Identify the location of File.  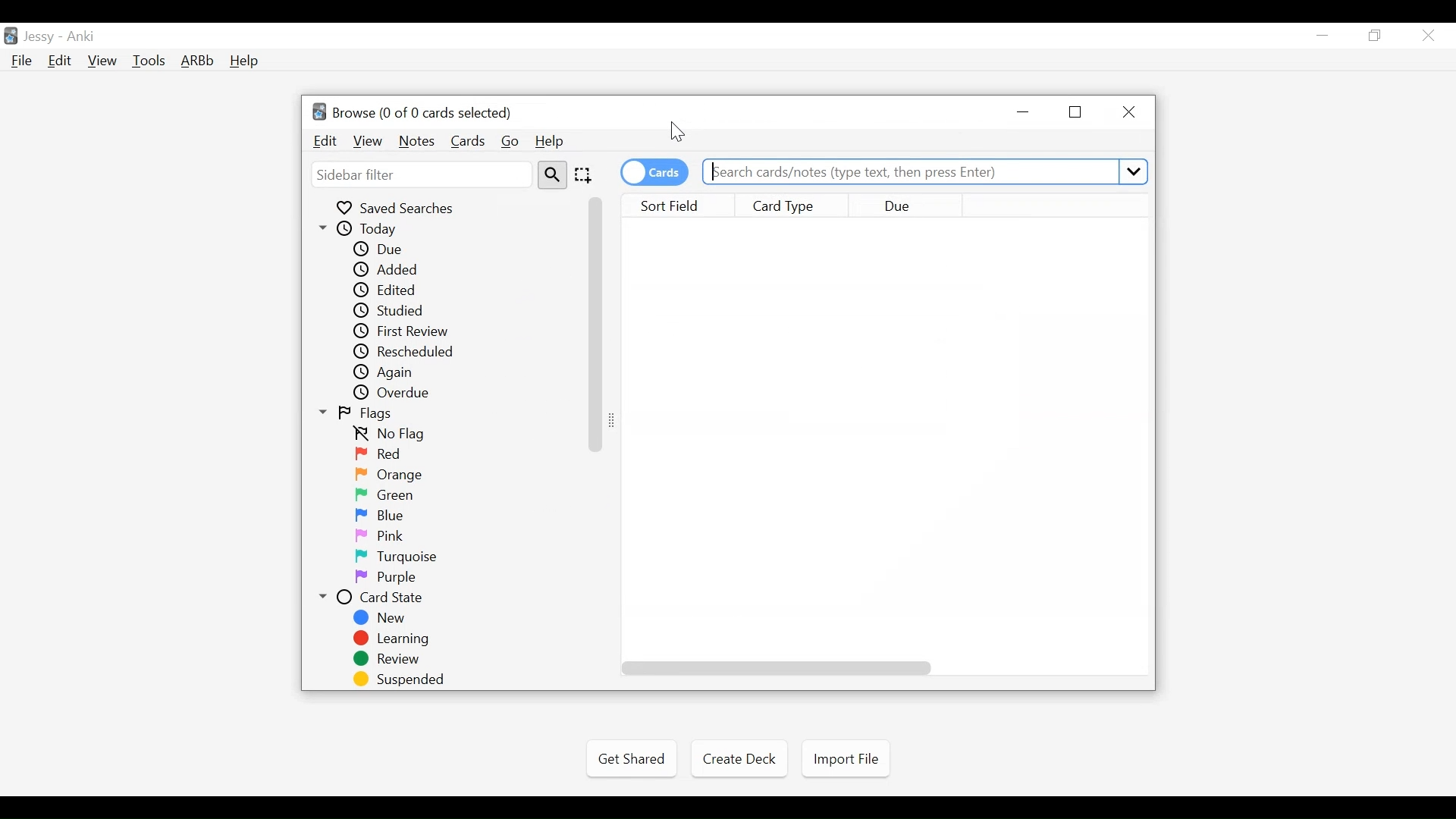
(25, 62).